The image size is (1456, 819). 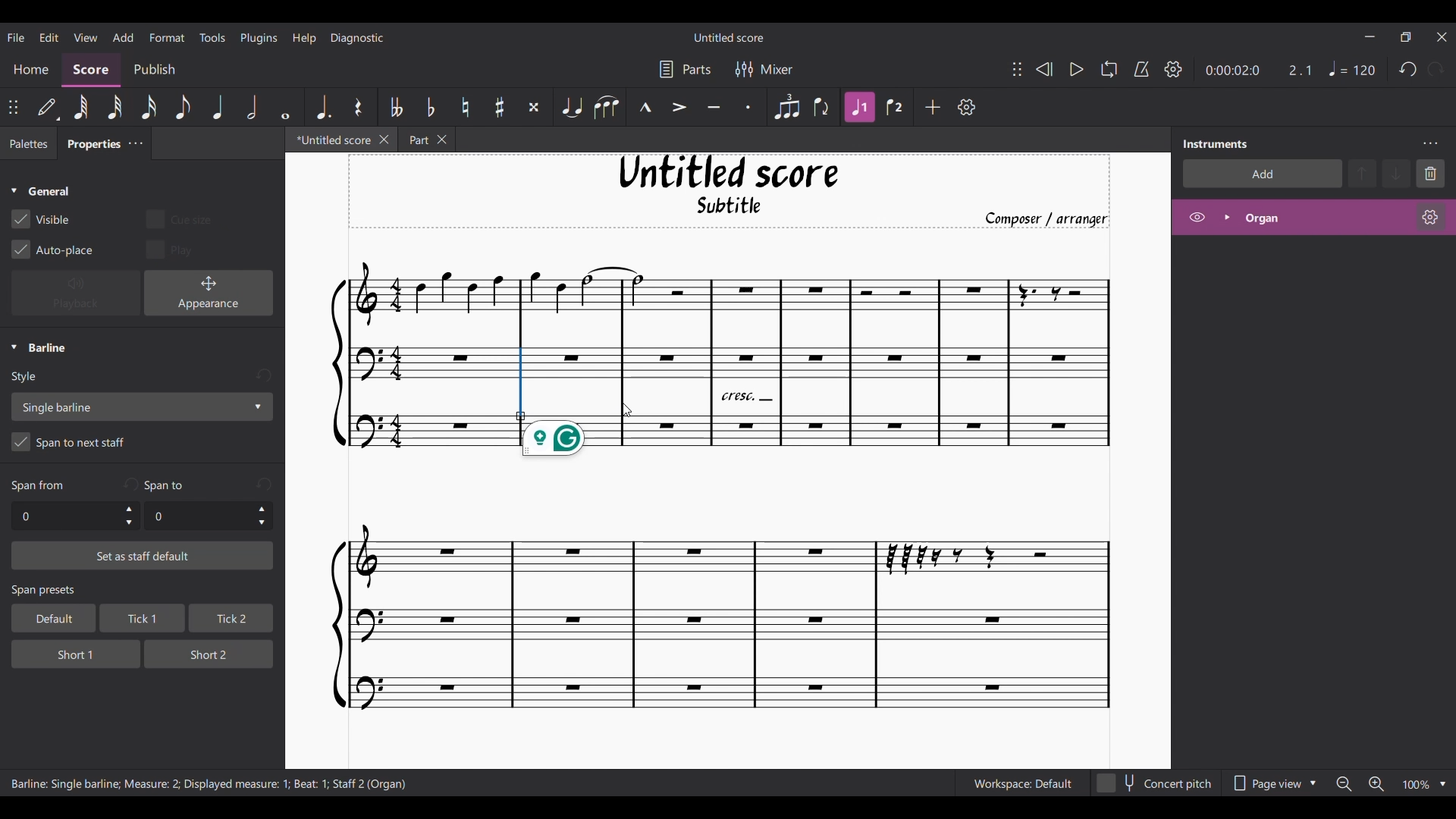 What do you see at coordinates (143, 591) in the screenshot?
I see `Span presets` at bounding box center [143, 591].